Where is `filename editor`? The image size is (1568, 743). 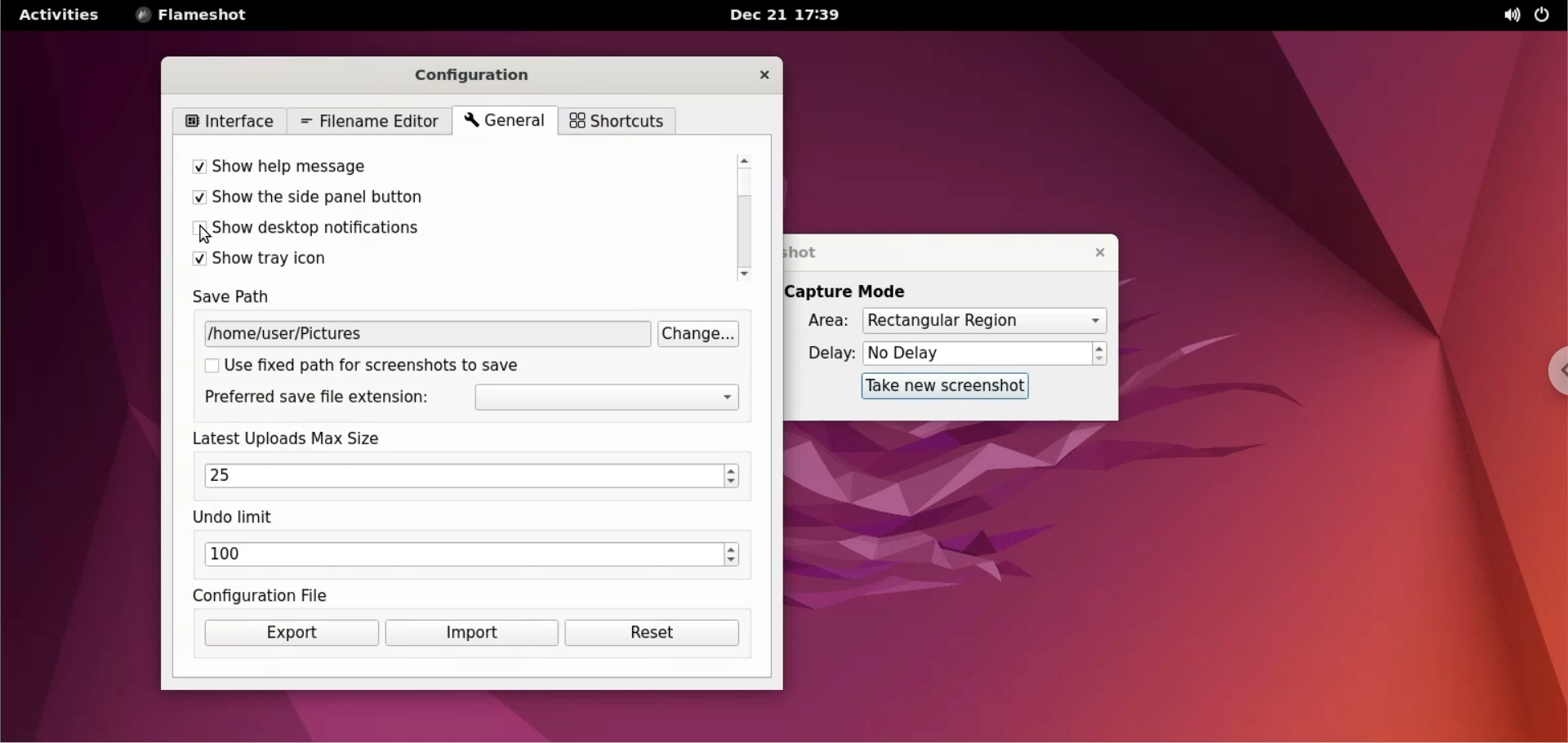 filename editor is located at coordinates (370, 122).